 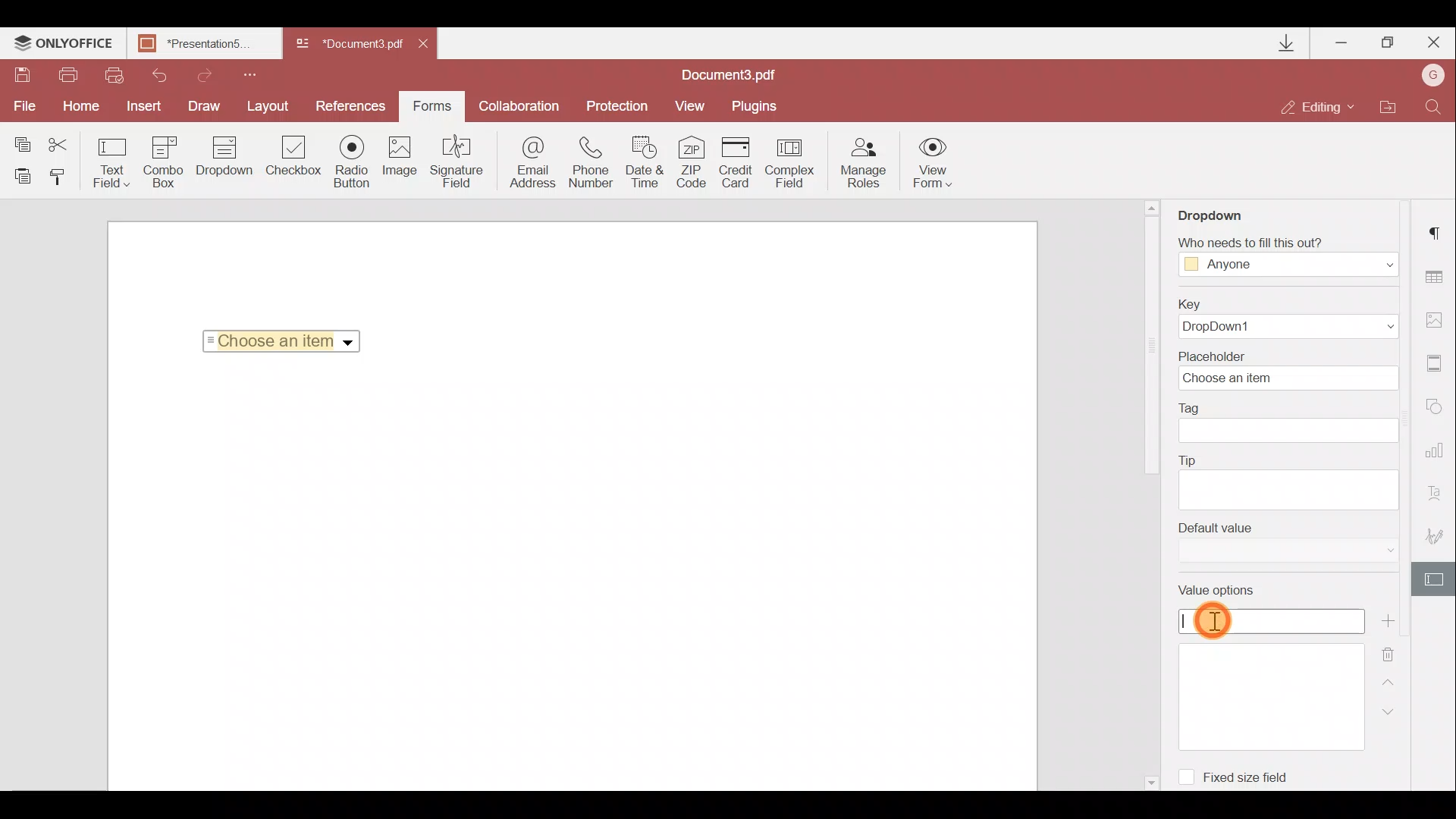 I want to click on Image, so click(x=401, y=163).